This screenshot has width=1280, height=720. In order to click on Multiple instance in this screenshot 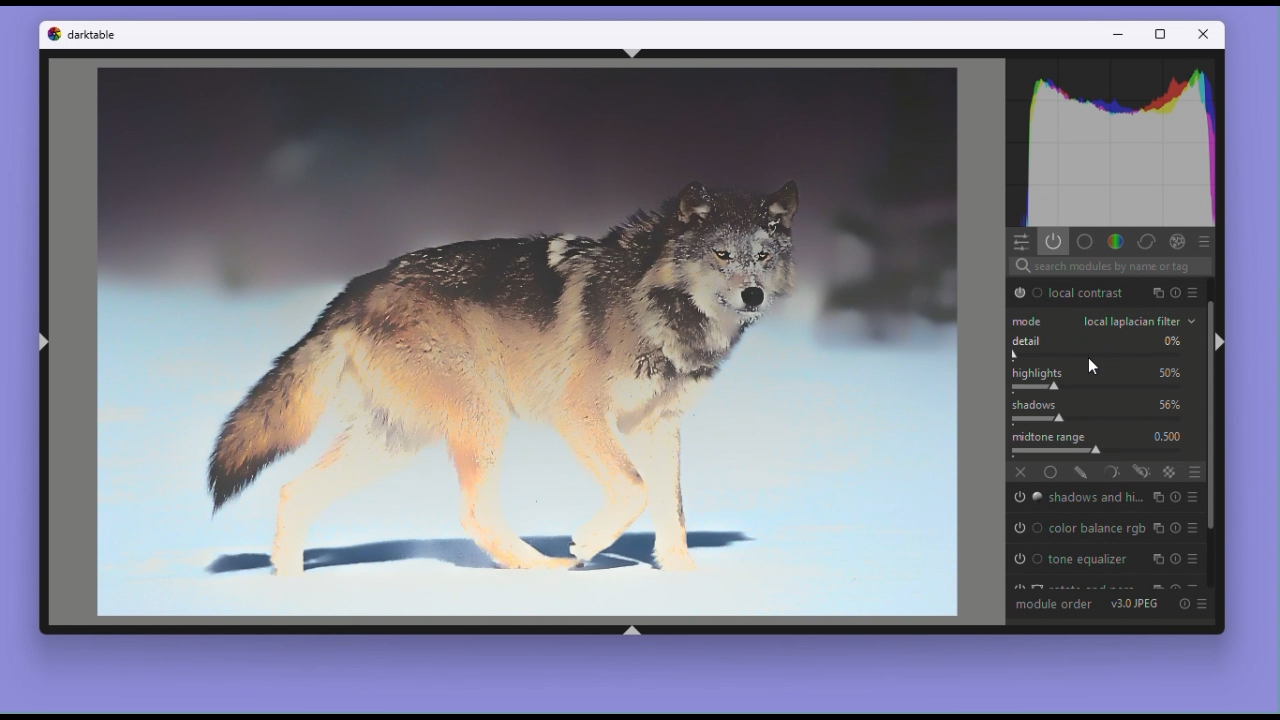, I will do `click(1160, 528)`.